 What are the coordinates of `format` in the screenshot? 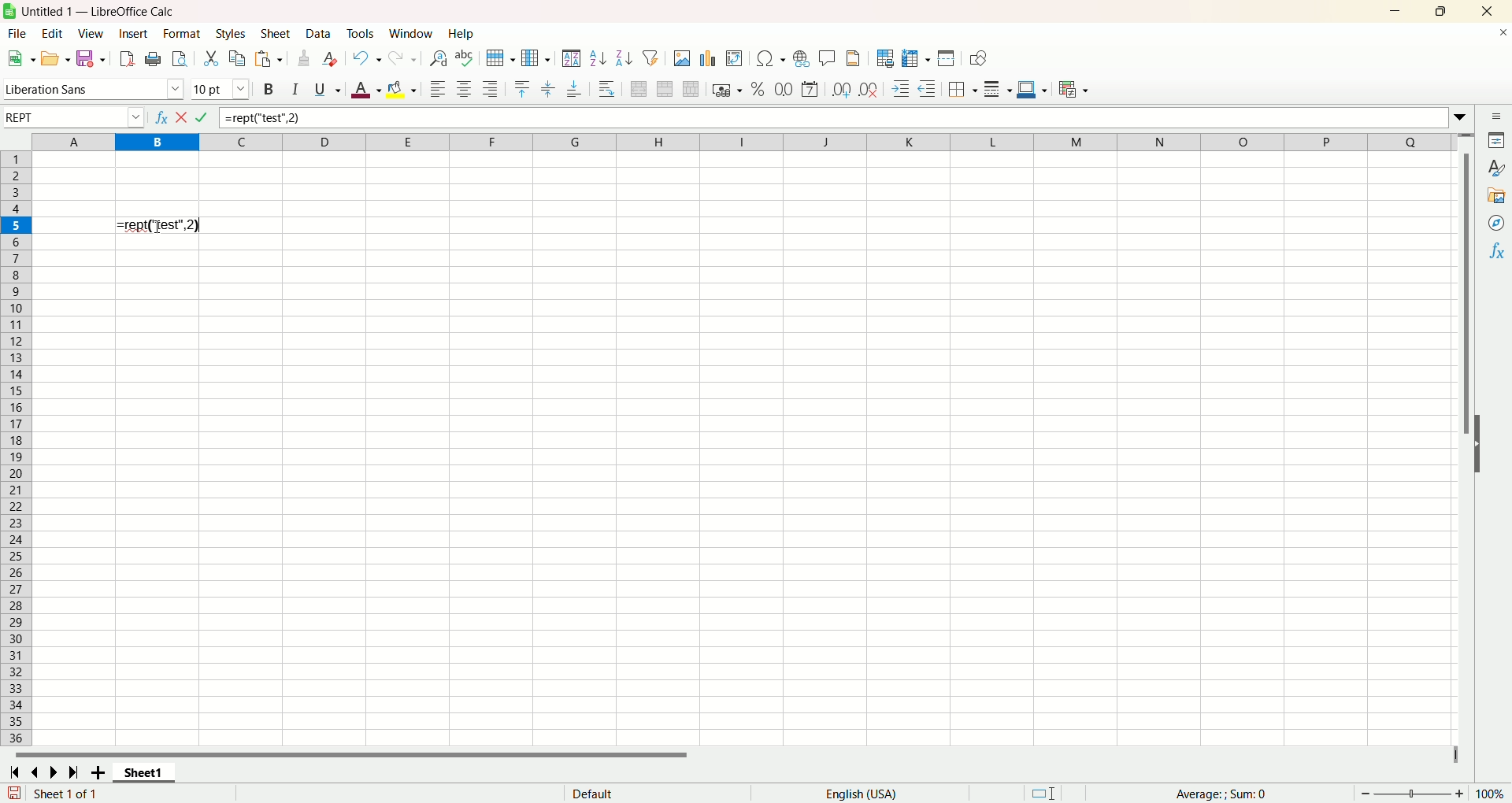 It's located at (182, 33).